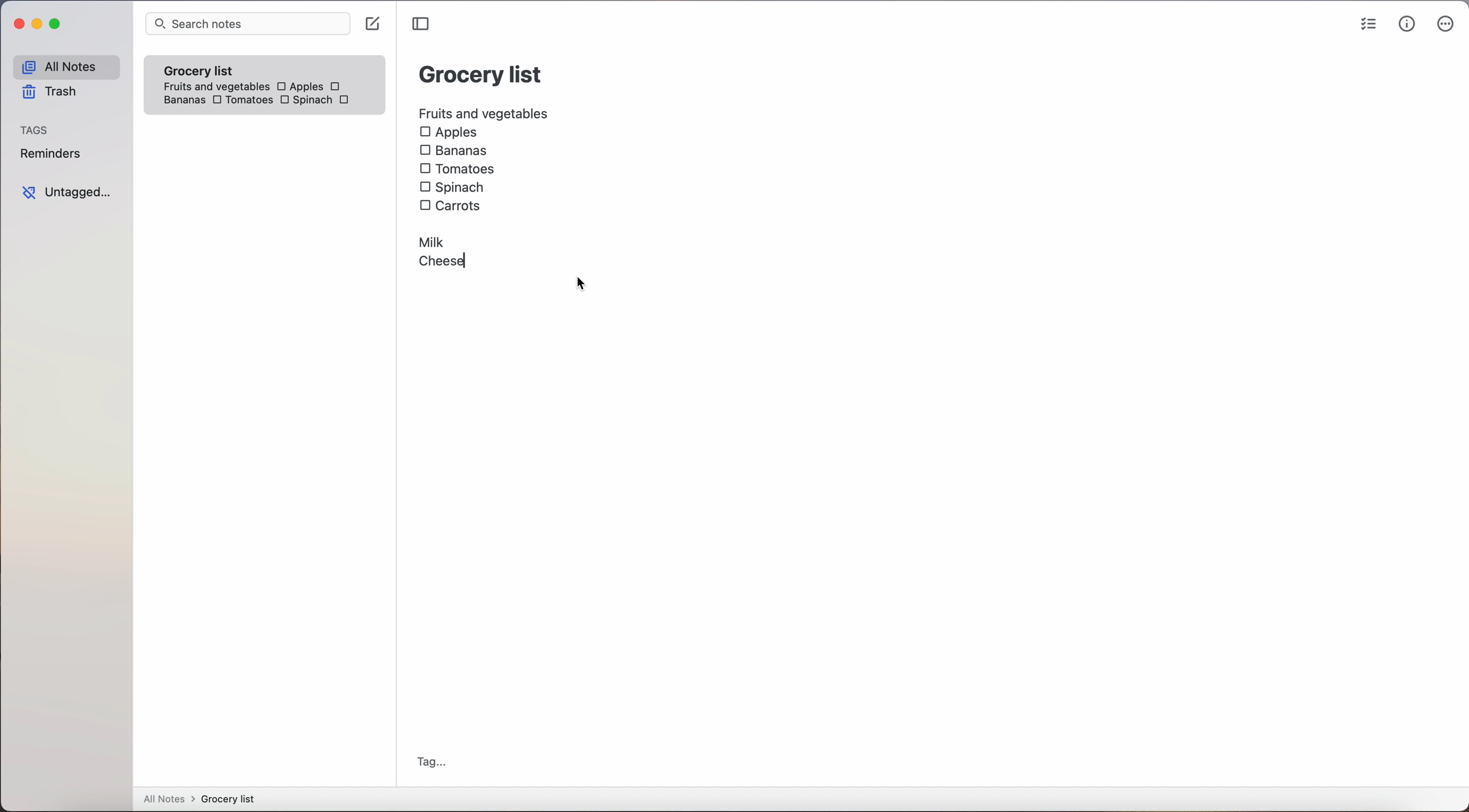  Describe the element at coordinates (480, 76) in the screenshot. I see `Grocery List` at that location.